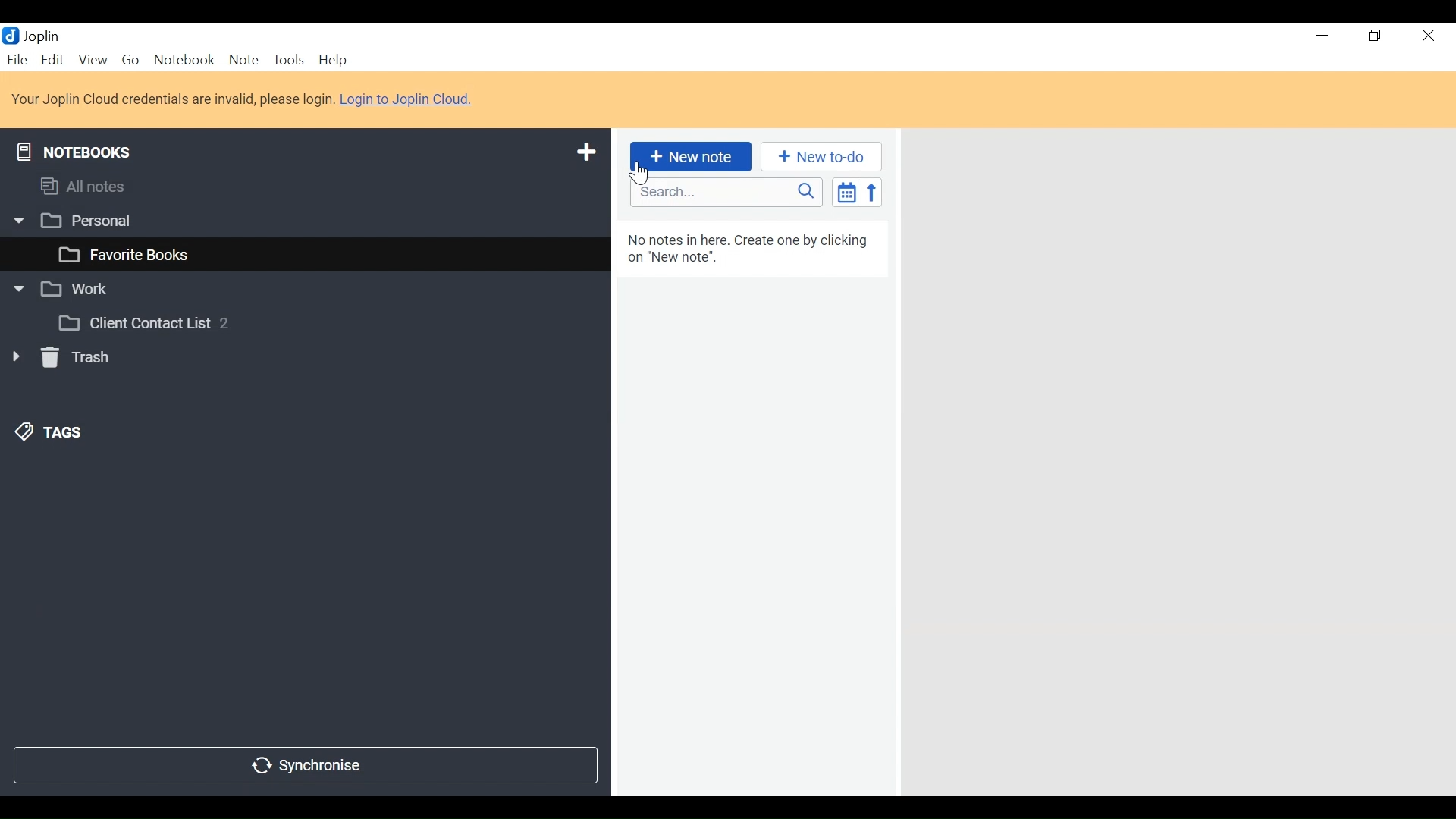 This screenshot has height=819, width=1456. I want to click on Notebook, so click(184, 61).